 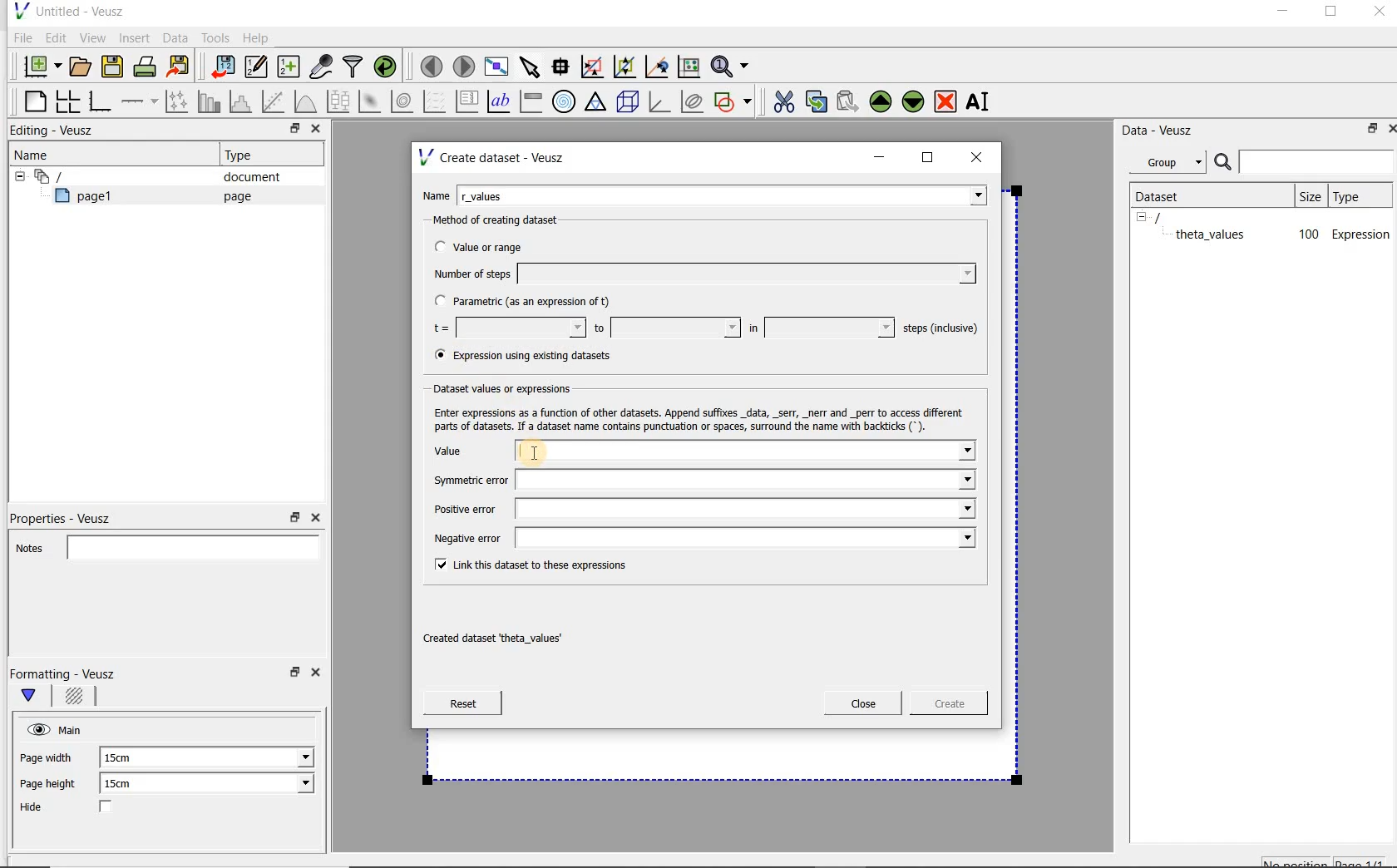 I want to click on rename the selected widget, so click(x=981, y=101).